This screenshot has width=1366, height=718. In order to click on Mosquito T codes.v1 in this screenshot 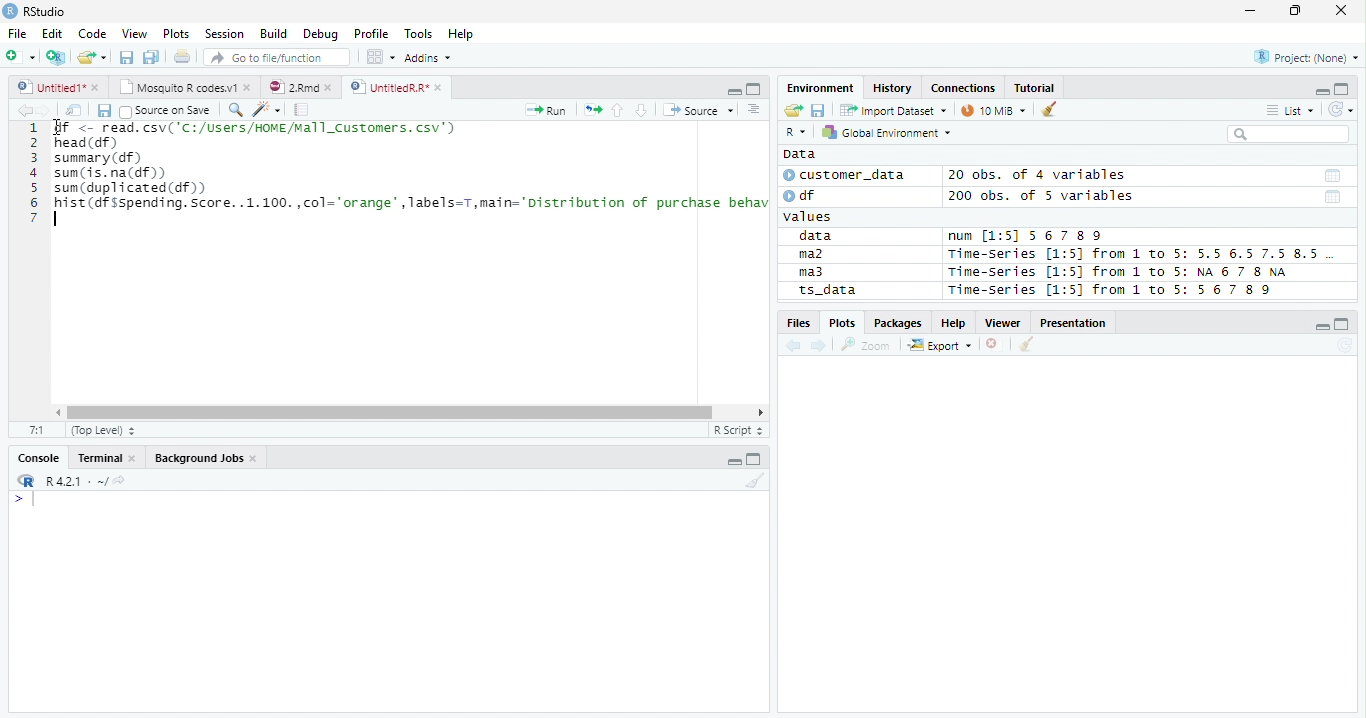, I will do `click(185, 88)`.